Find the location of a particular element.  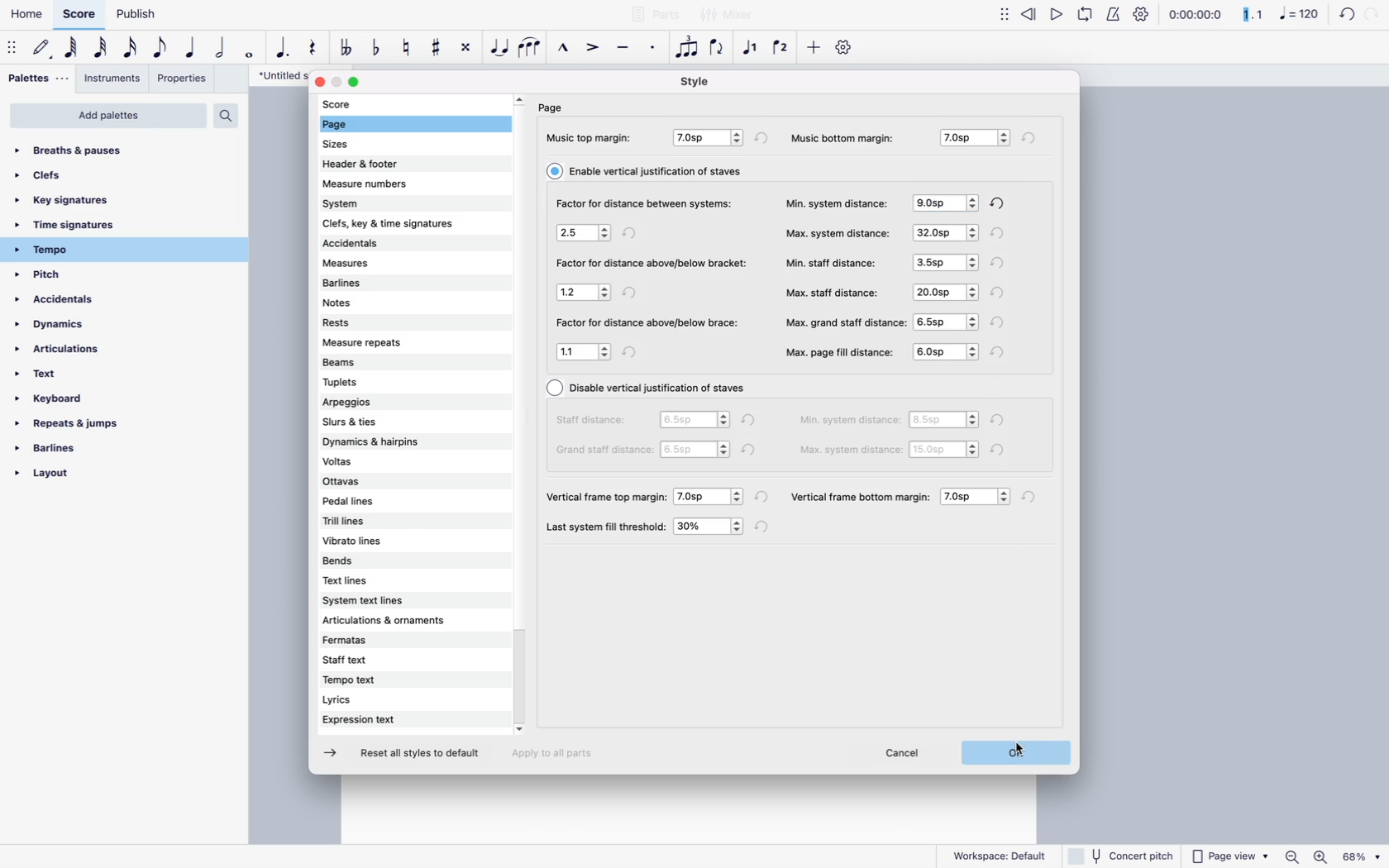

min staff distance is located at coordinates (833, 262).